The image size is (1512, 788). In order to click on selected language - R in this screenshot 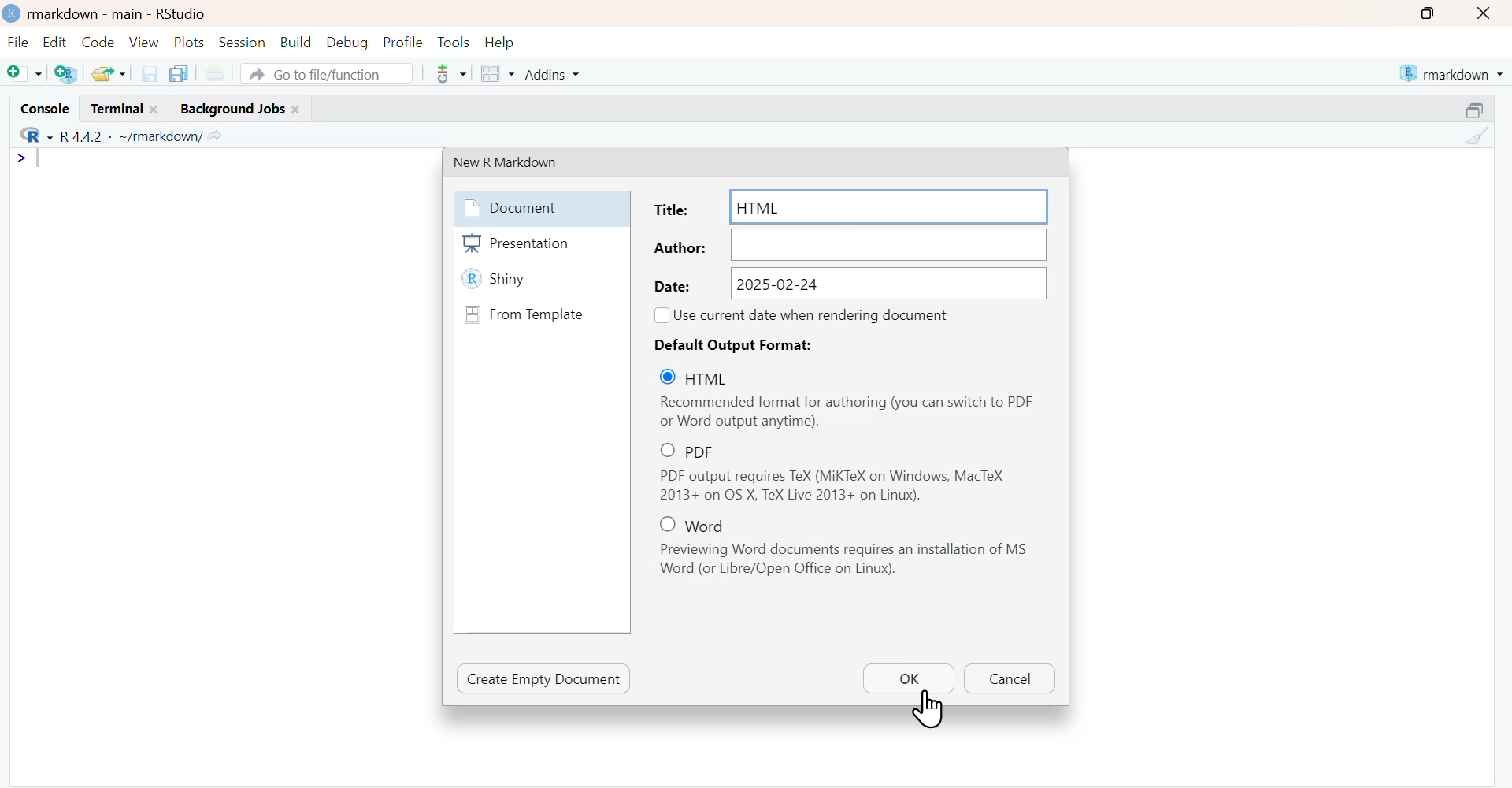, I will do `click(31, 136)`.